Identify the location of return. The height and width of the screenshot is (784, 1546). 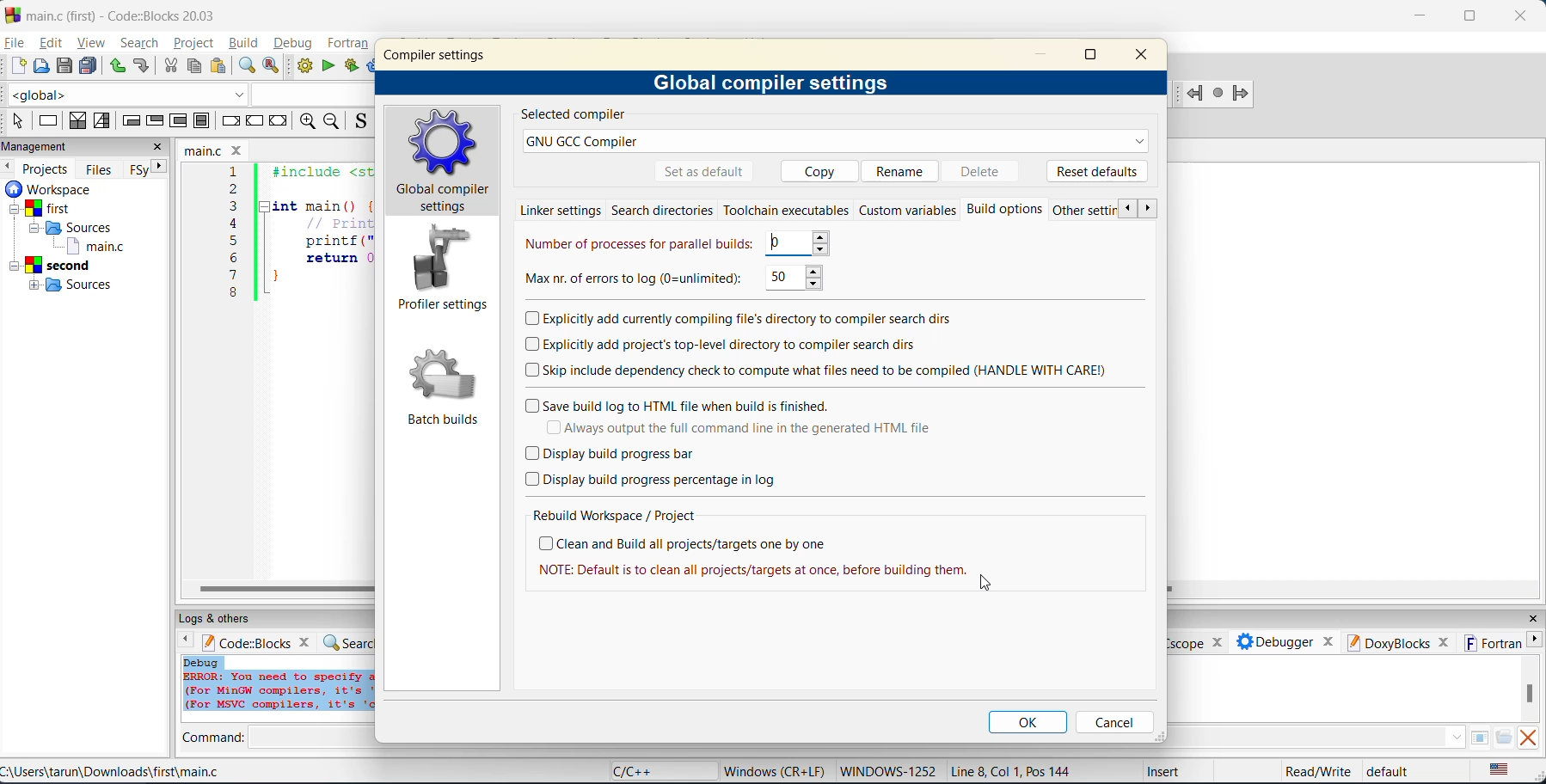
(281, 120).